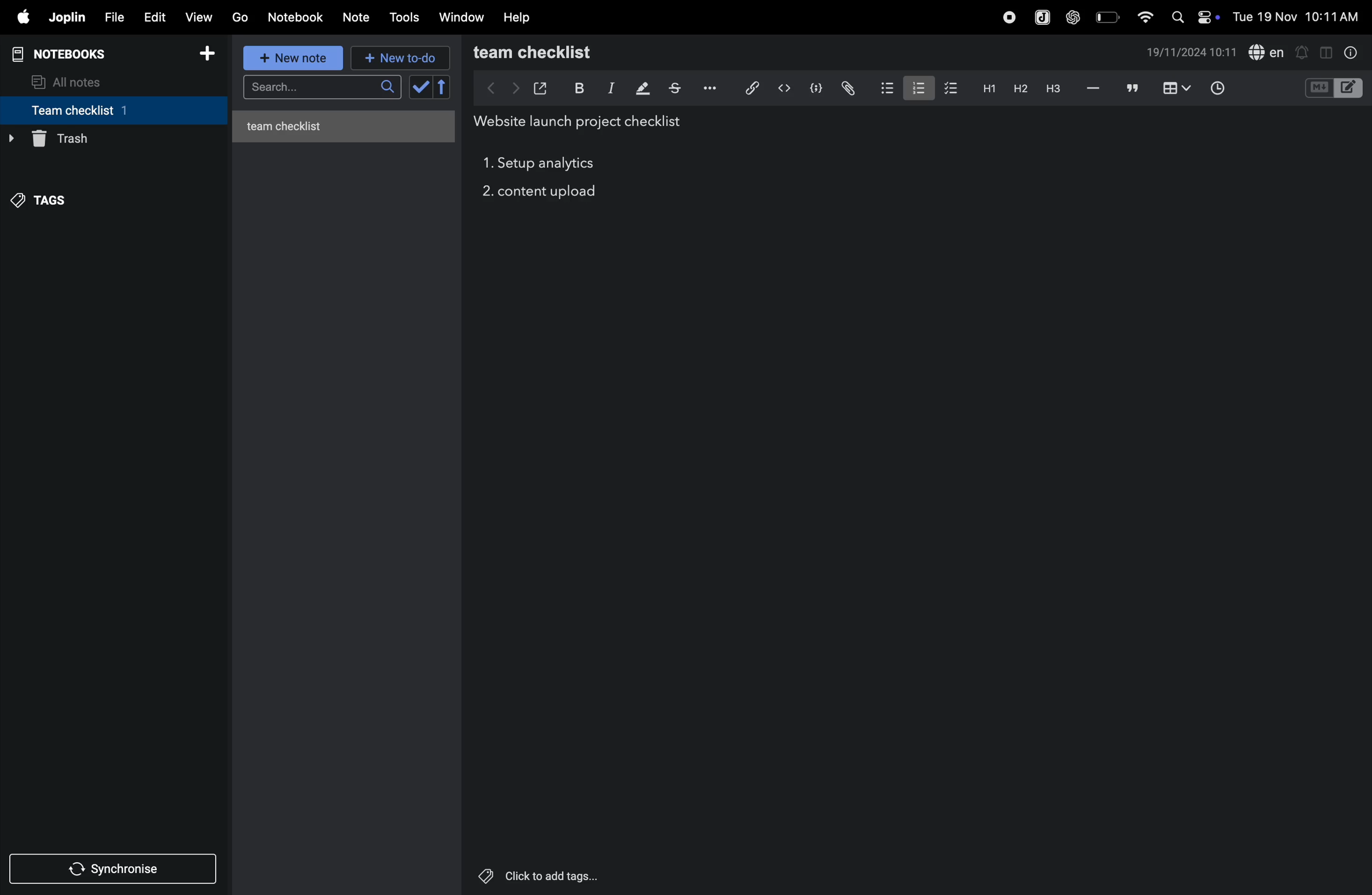 This screenshot has height=895, width=1372. What do you see at coordinates (1175, 88) in the screenshot?
I see `table` at bounding box center [1175, 88].